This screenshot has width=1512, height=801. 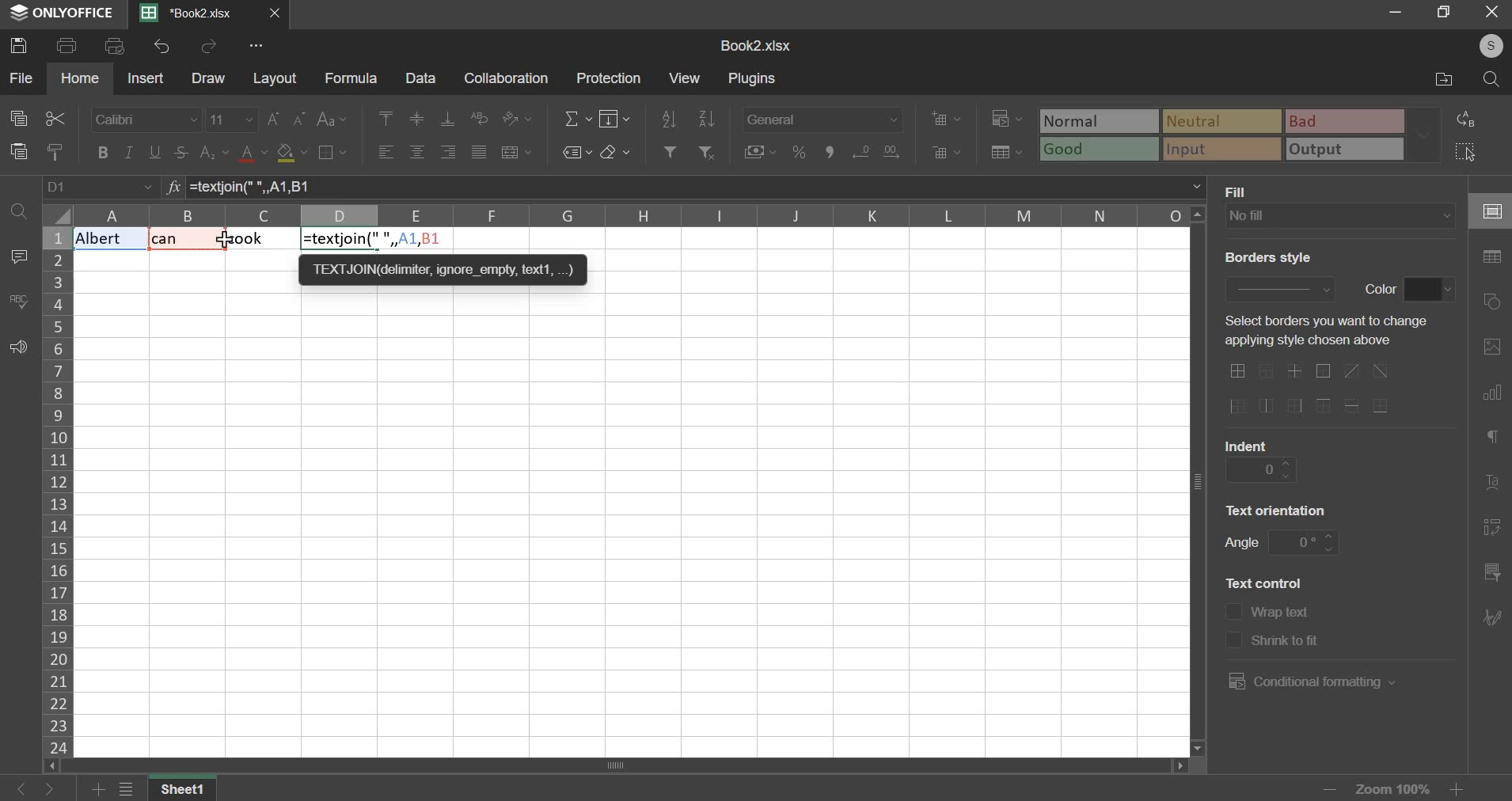 I want to click on replace, so click(x=1471, y=119).